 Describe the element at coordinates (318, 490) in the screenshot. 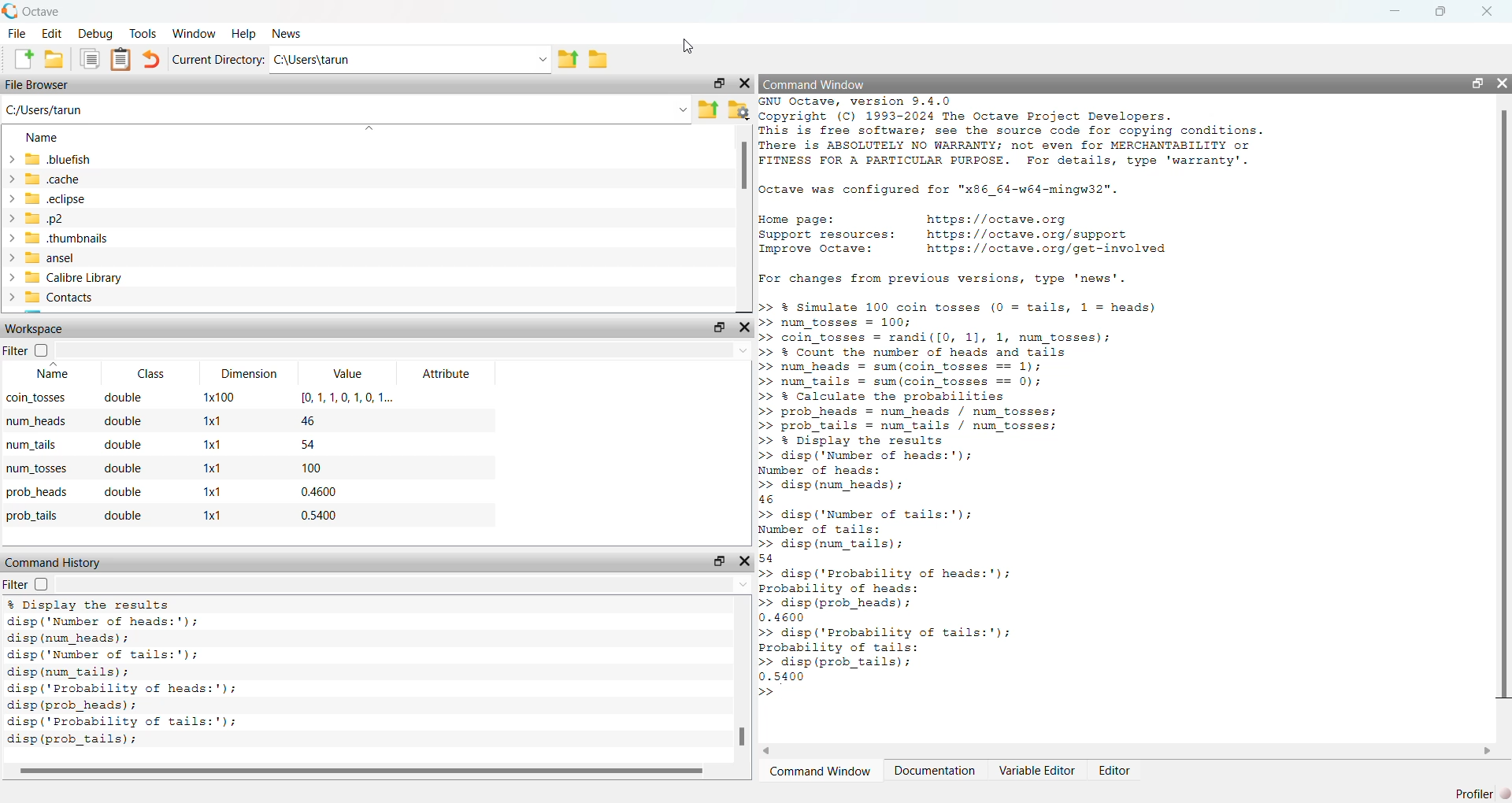

I see `0.4600` at that location.